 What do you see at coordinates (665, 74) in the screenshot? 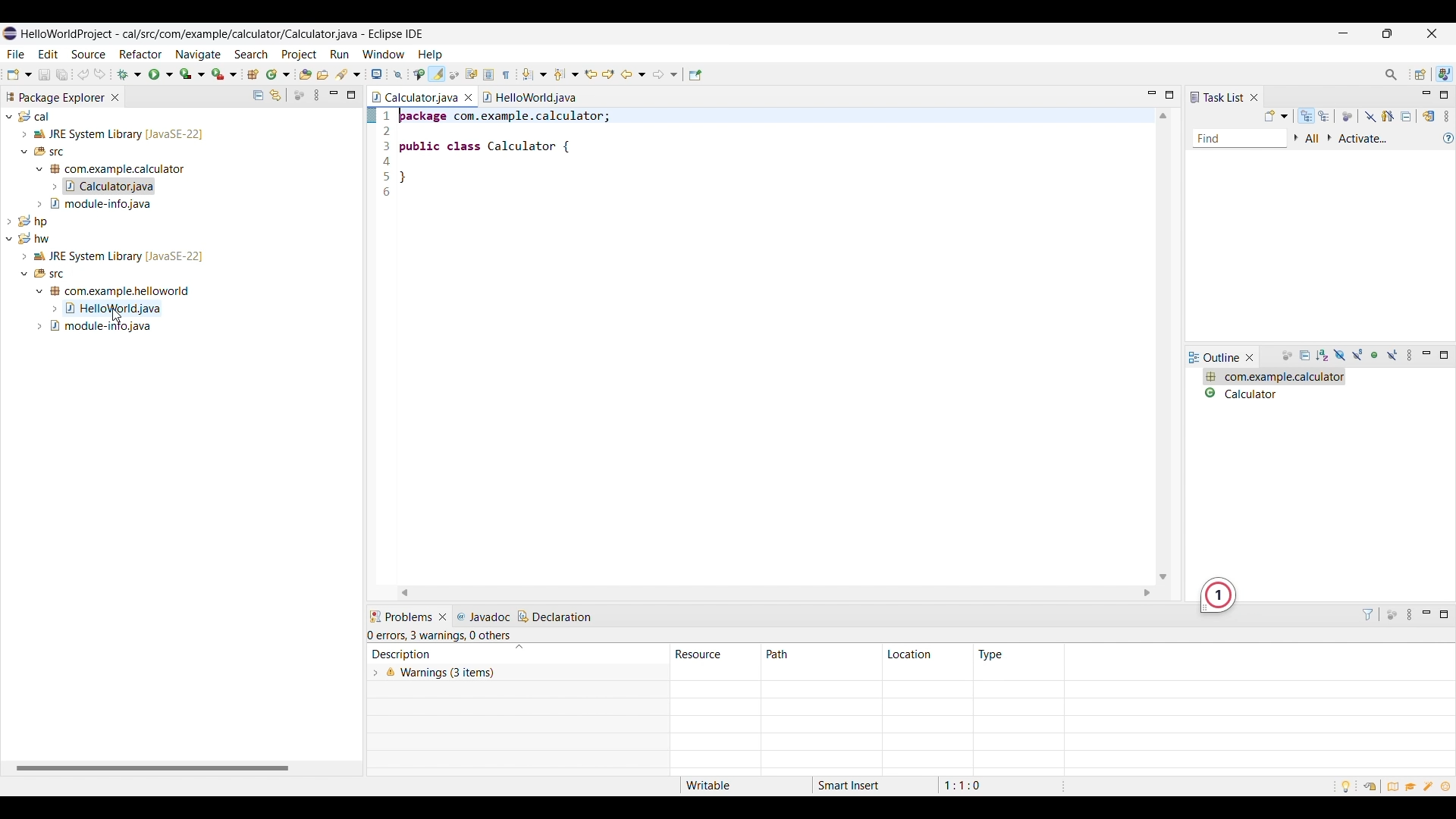
I see `Forward option` at bounding box center [665, 74].